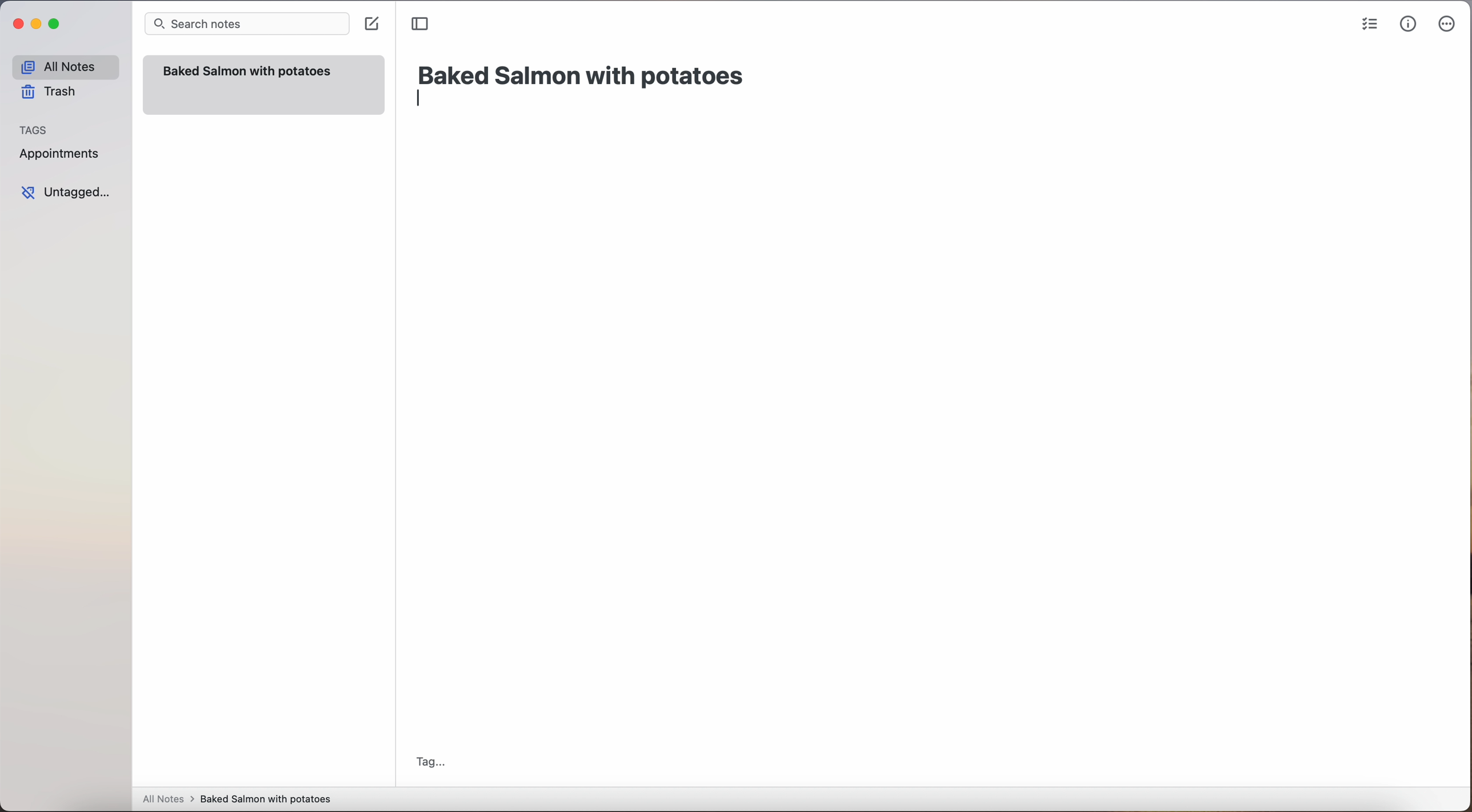 The width and height of the screenshot is (1472, 812). I want to click on all notes > baked Salmon with potatoes, so click(237, 798).